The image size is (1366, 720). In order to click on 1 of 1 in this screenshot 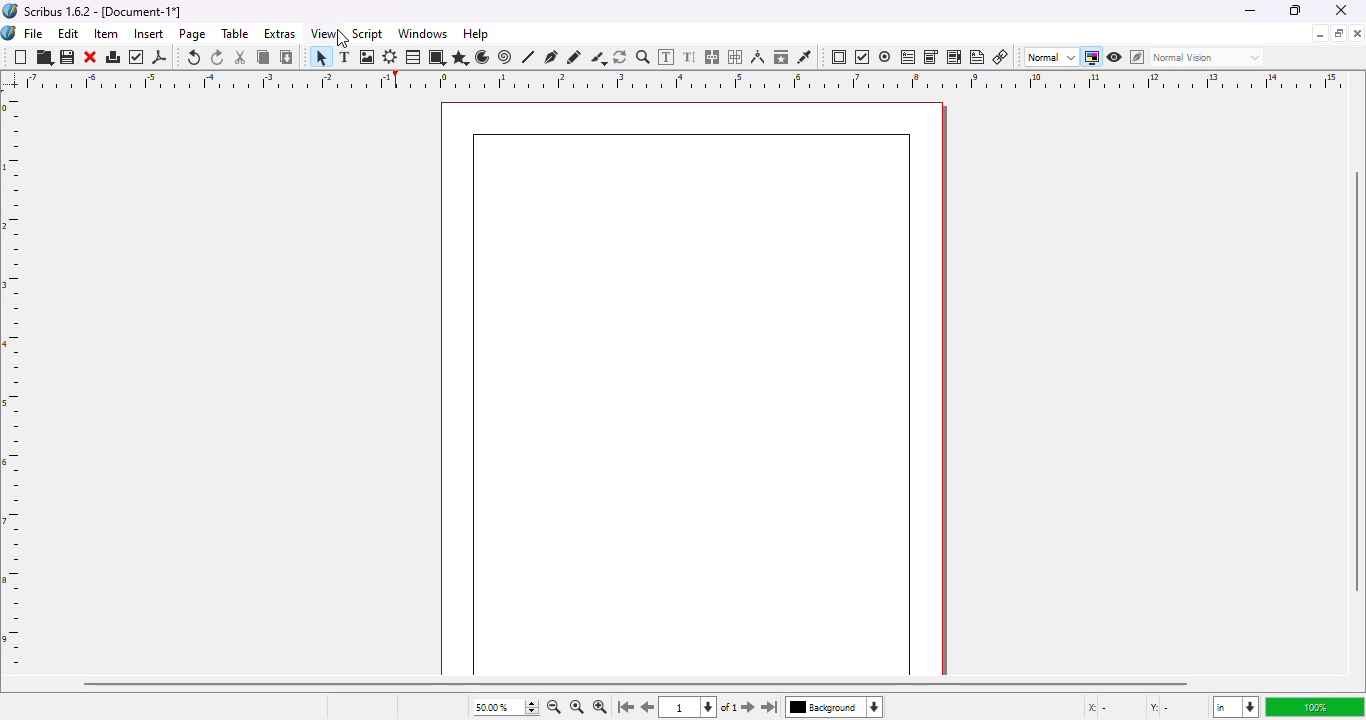, I will do `click(704, 708)`.